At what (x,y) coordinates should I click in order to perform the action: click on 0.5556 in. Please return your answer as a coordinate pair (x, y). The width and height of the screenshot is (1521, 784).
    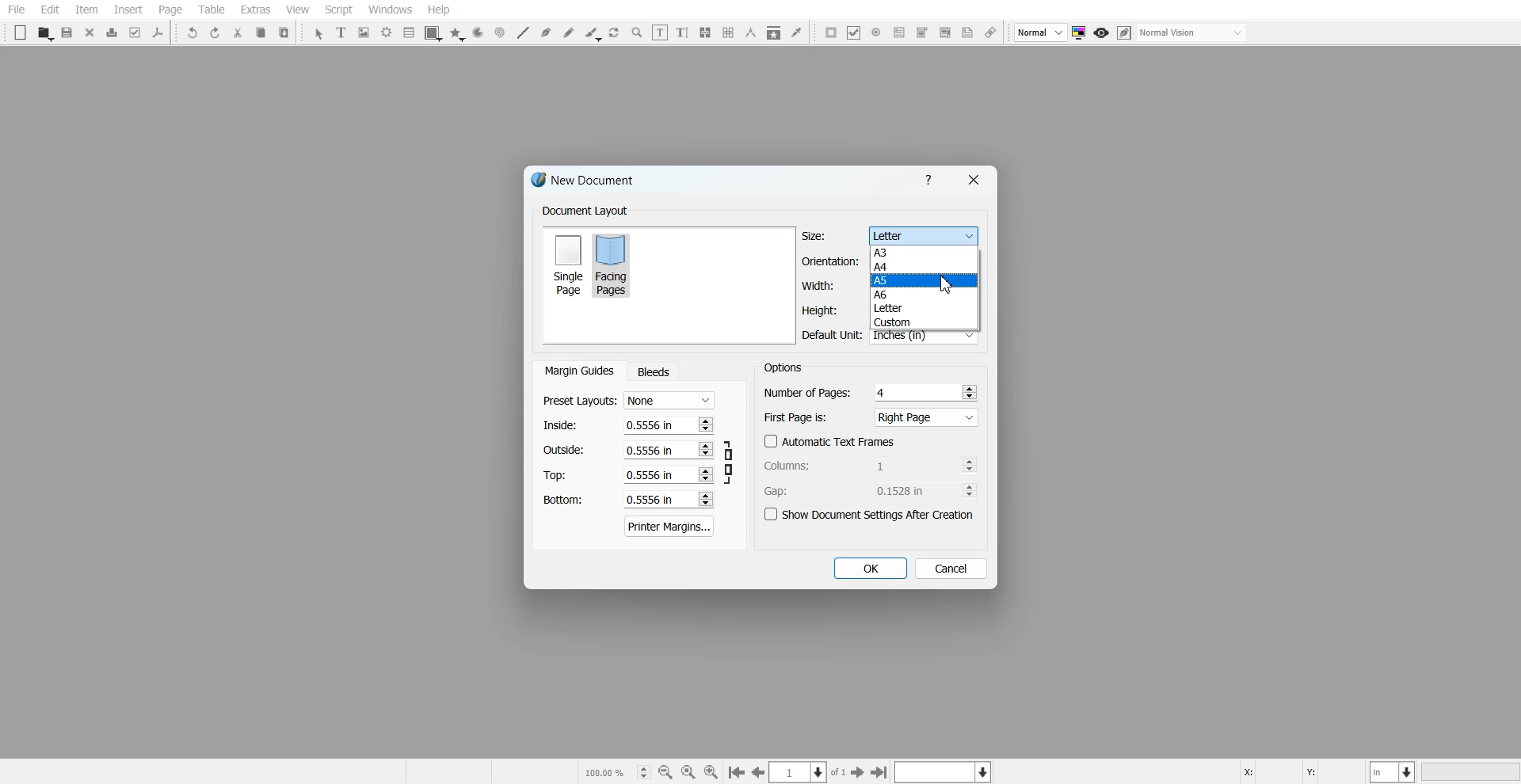
    Looking at the image, I should click on (649, 424).